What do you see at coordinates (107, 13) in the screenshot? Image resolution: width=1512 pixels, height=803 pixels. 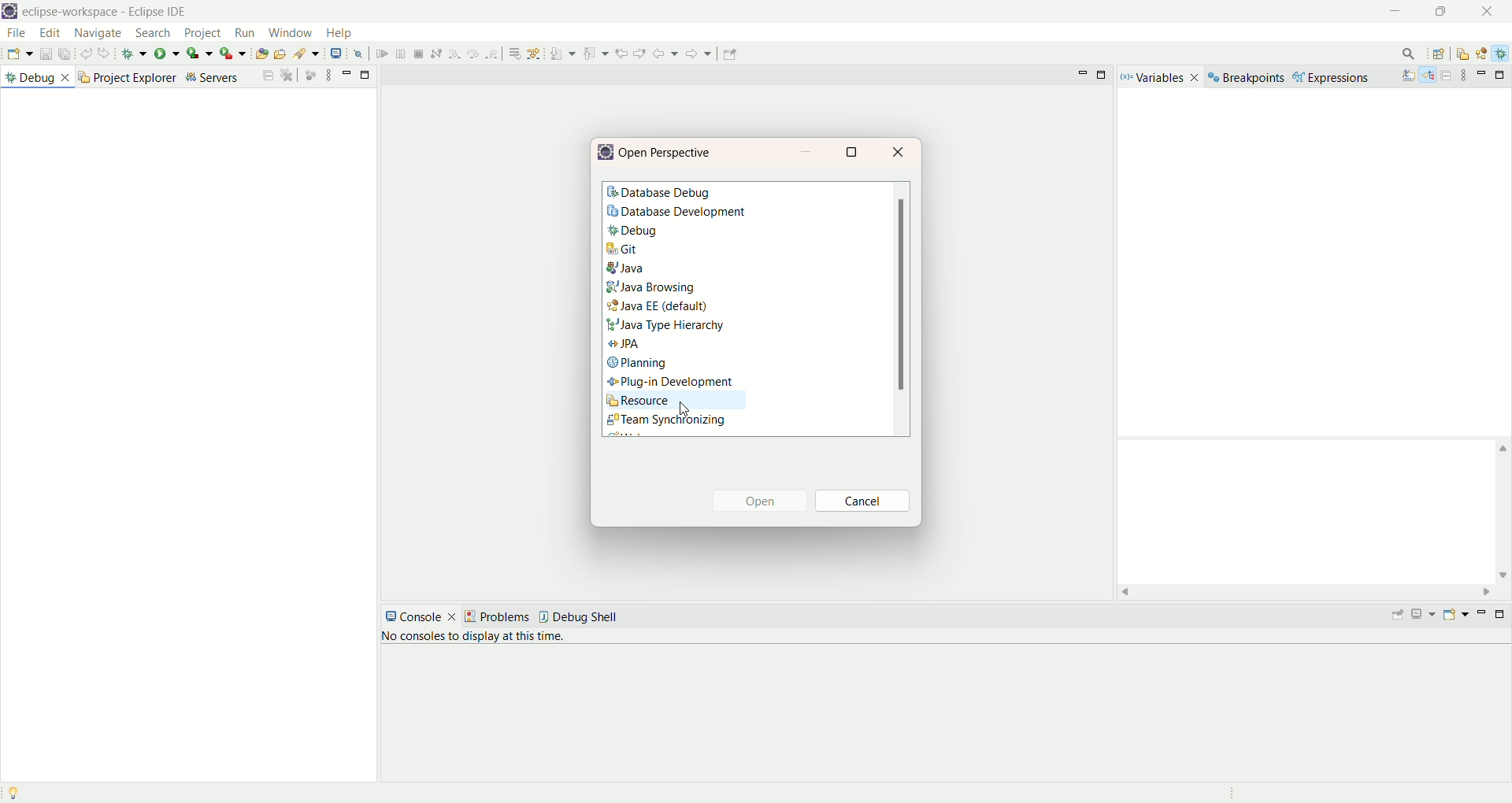 I see `eclipse-workspace-Eclipse IDE` at bounding box center [107, 13].